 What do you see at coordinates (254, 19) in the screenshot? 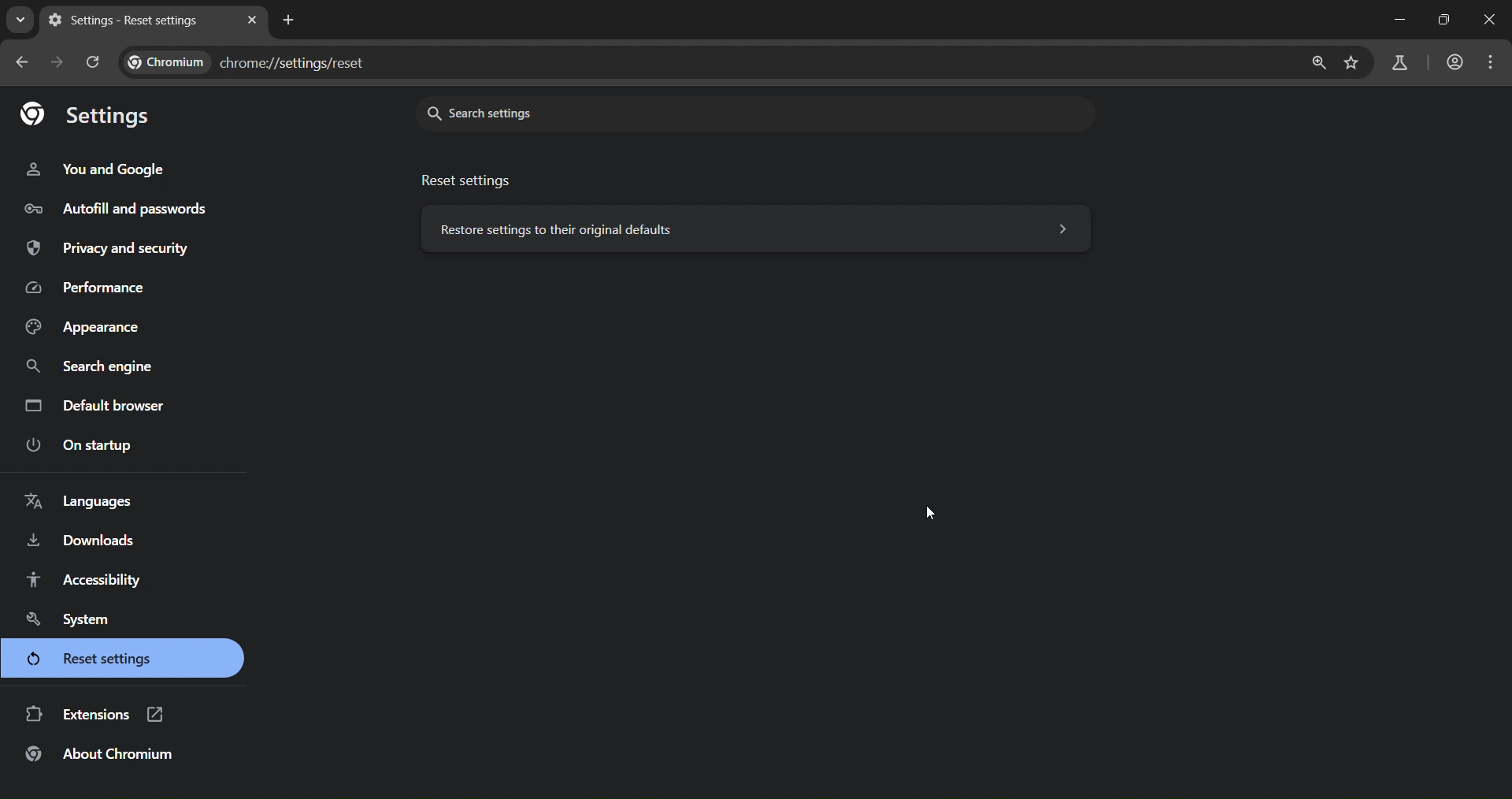
I see `close tab` at bounding box center [254, 19].